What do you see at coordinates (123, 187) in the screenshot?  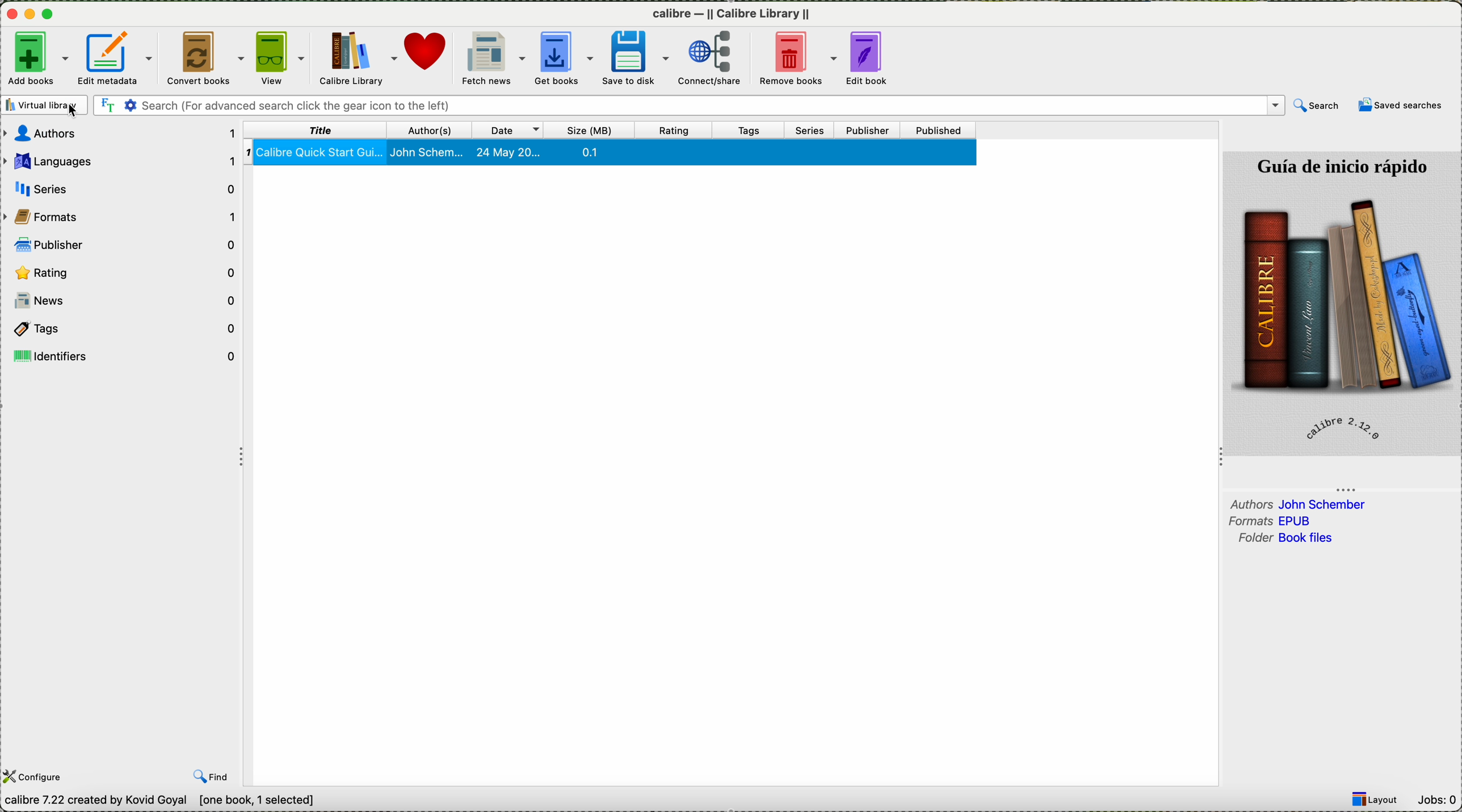 I see `serie` at bounding box center [123, 187].